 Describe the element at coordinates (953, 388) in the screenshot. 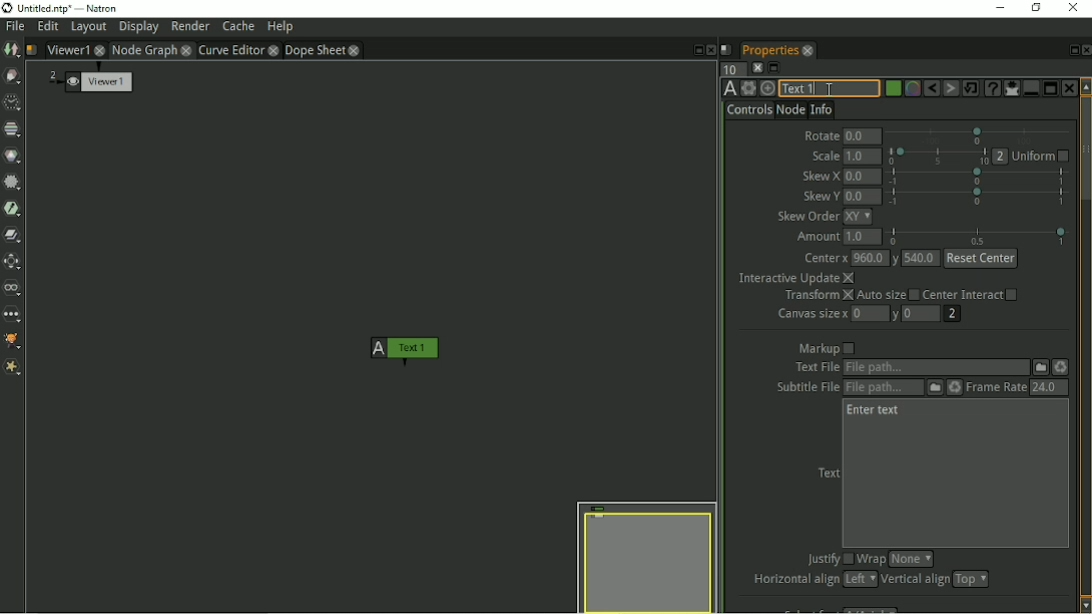

I see `Reload the file` at that location.